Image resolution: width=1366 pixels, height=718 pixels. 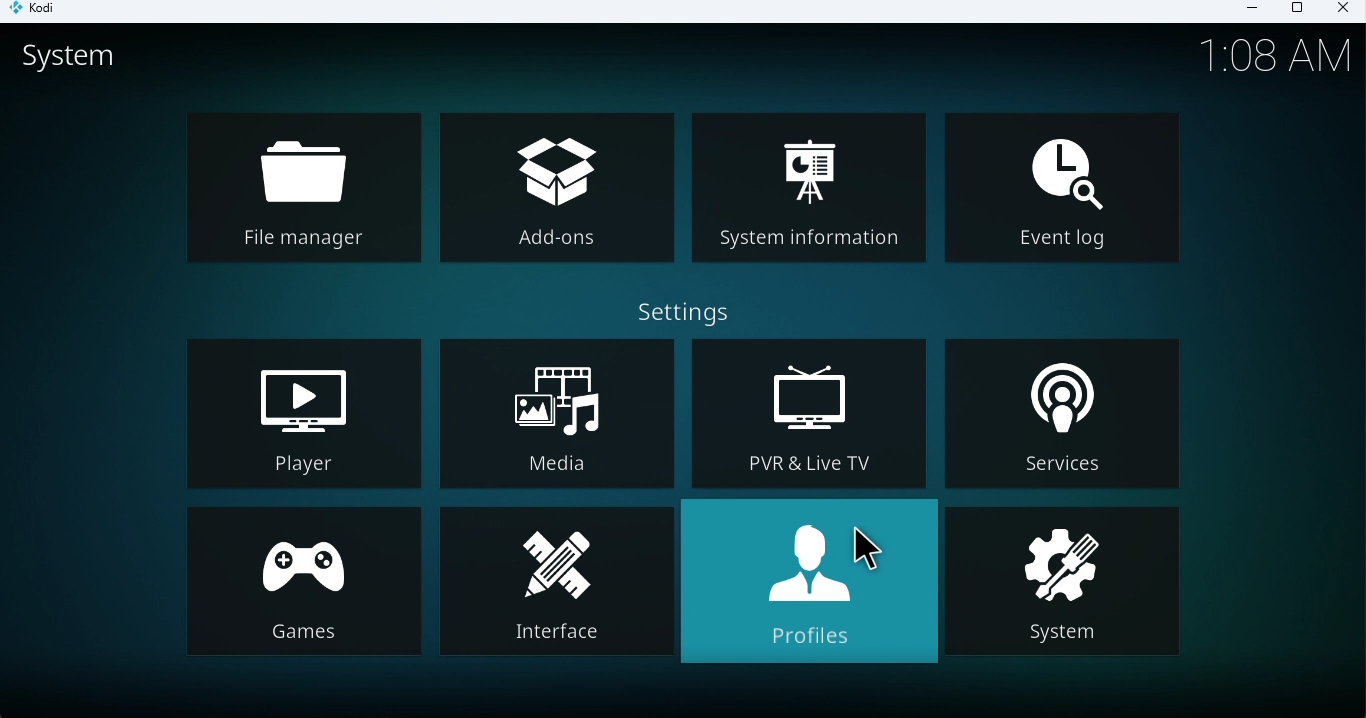 I want to click on System information, so click(x=810, y=194).